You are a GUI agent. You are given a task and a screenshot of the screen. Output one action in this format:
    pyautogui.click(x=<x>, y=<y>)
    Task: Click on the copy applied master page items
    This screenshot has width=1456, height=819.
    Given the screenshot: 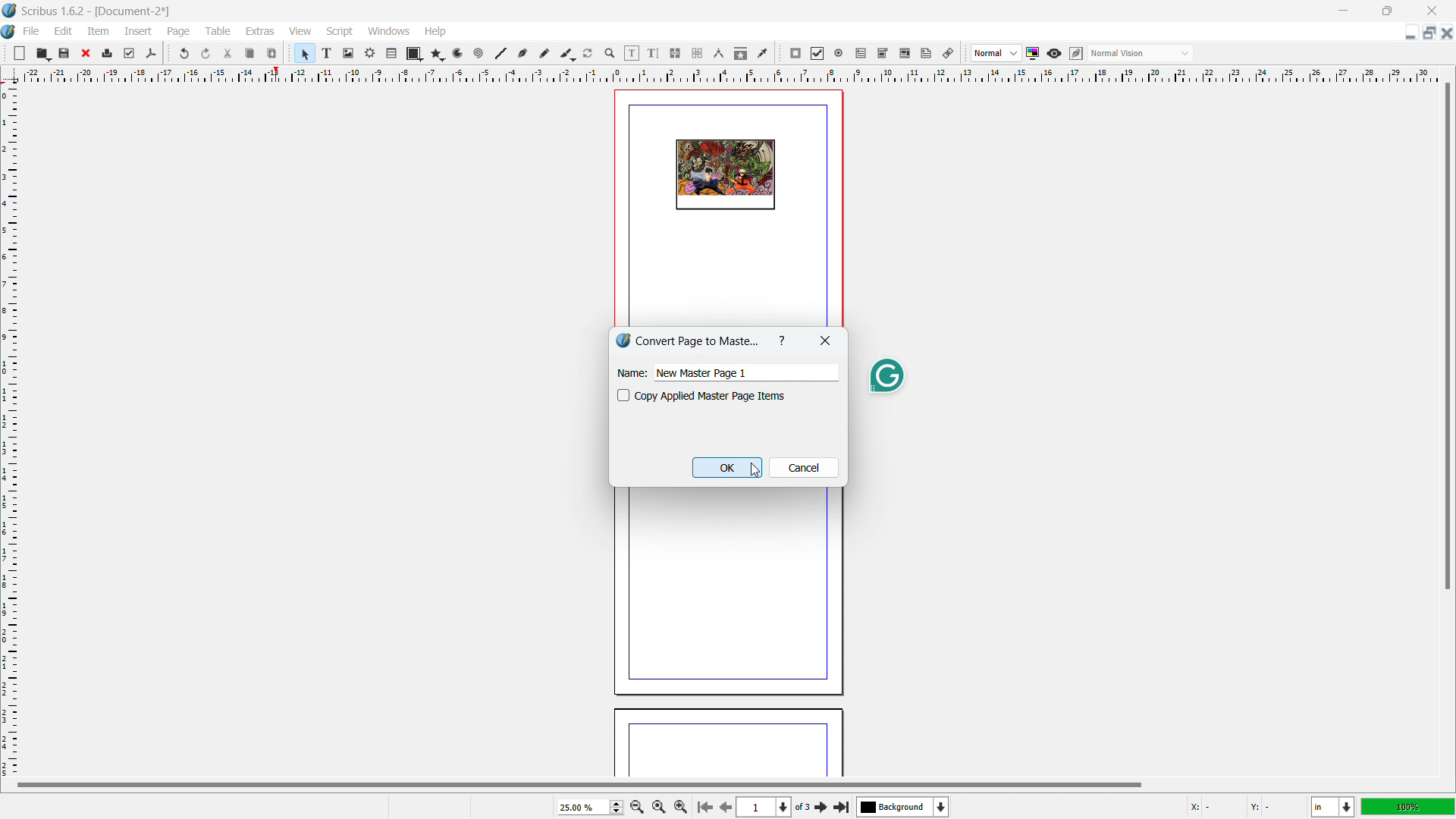 What is the action you would take?
    pyautogui.click(x=623, y=395)
    